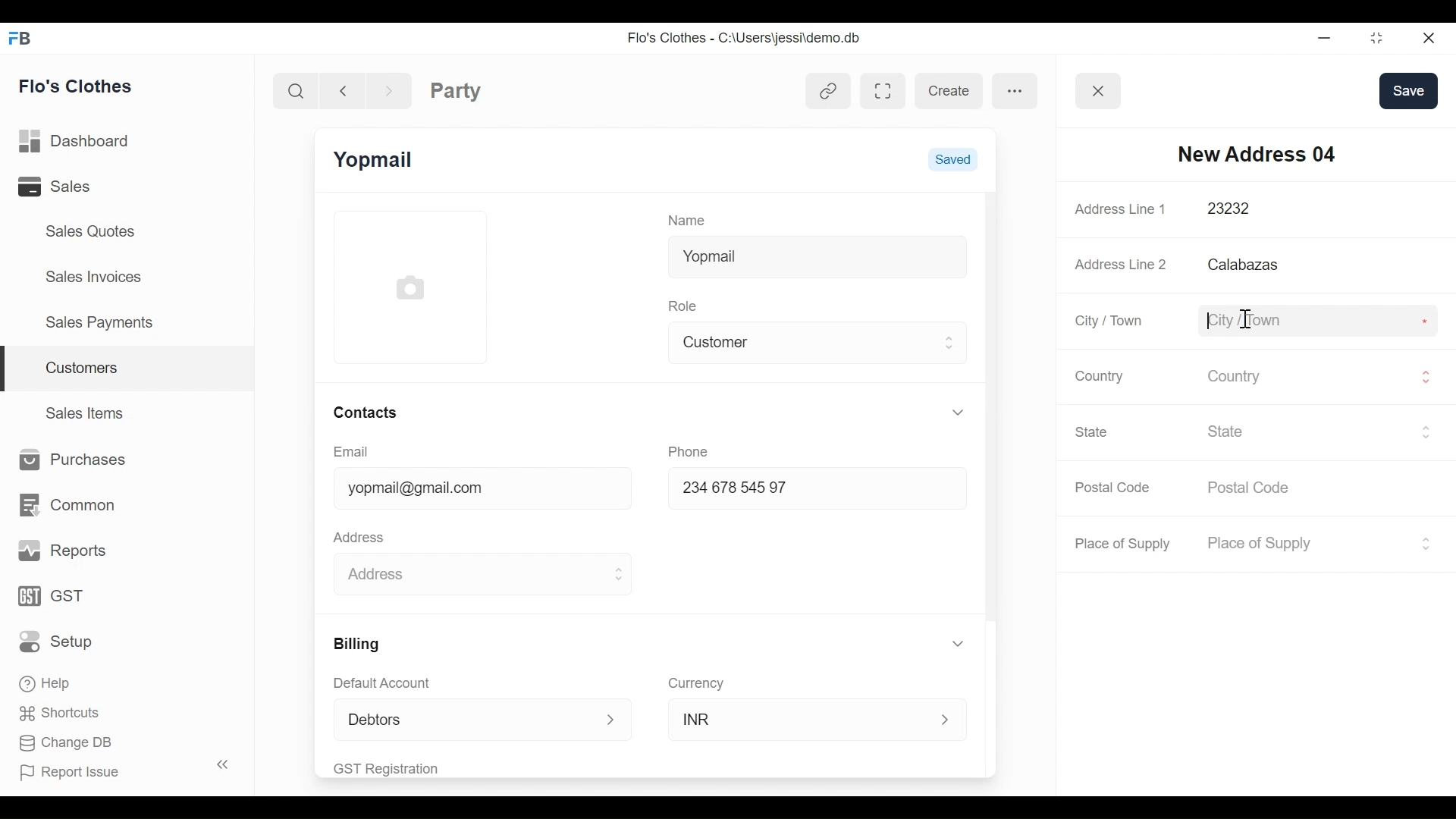 The height and width of the screenshot is (819, 1456). I want to click on more, so click(1015, 89).